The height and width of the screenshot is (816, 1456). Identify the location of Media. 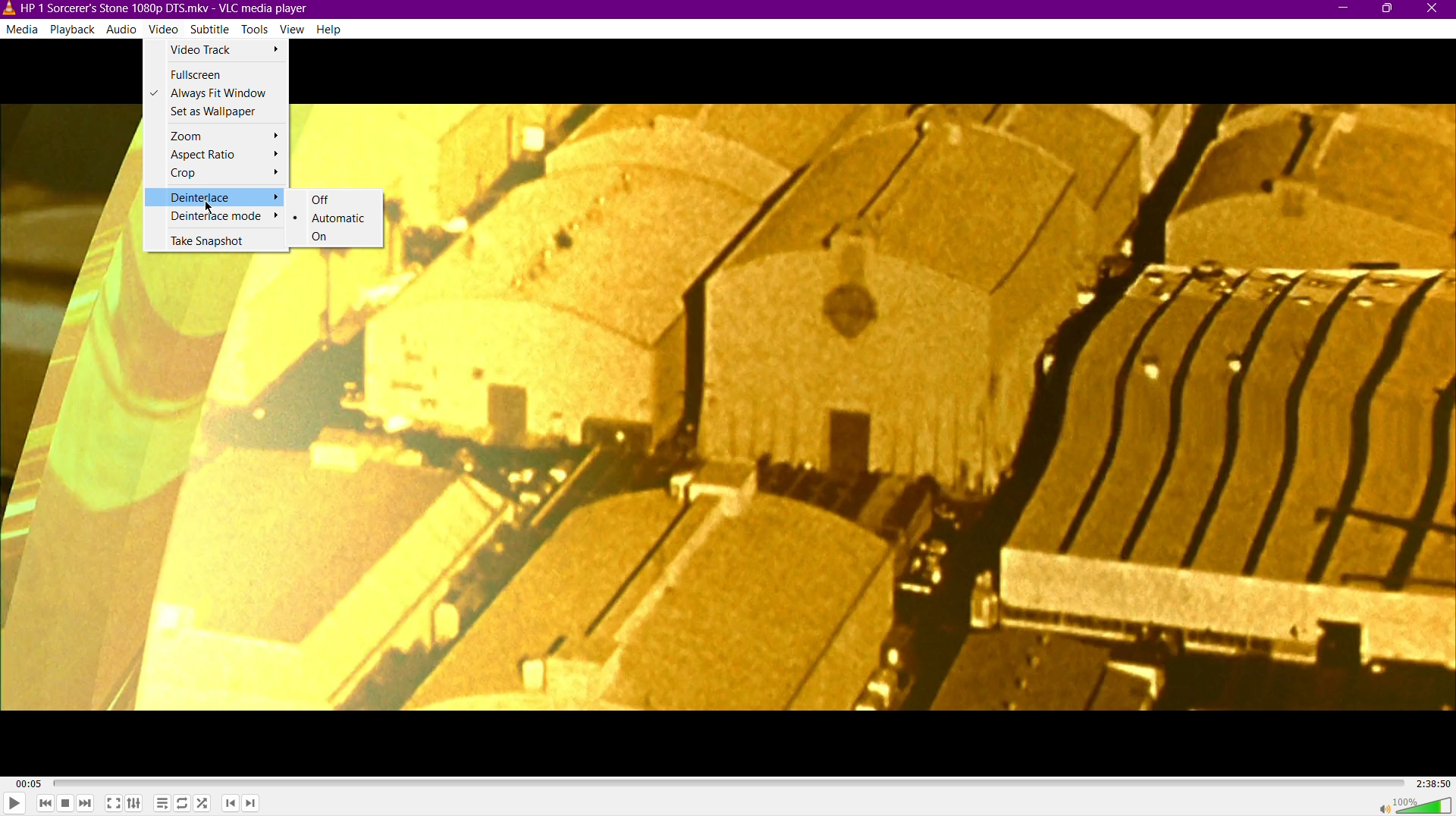
(21, 30).